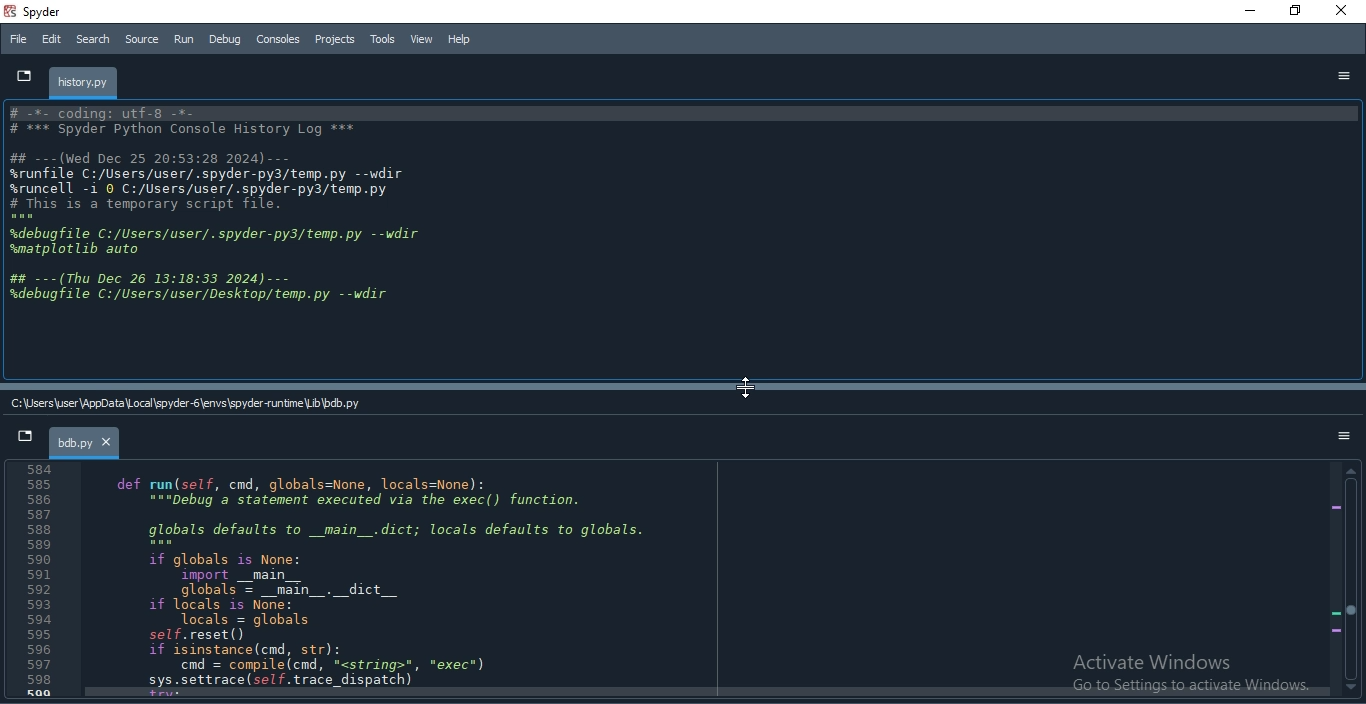 This screenshot has height=704, width=1366. What do you see at coordinates (183, 39) in the screenshot?
I see `Run` at bounding box center [183, 39].